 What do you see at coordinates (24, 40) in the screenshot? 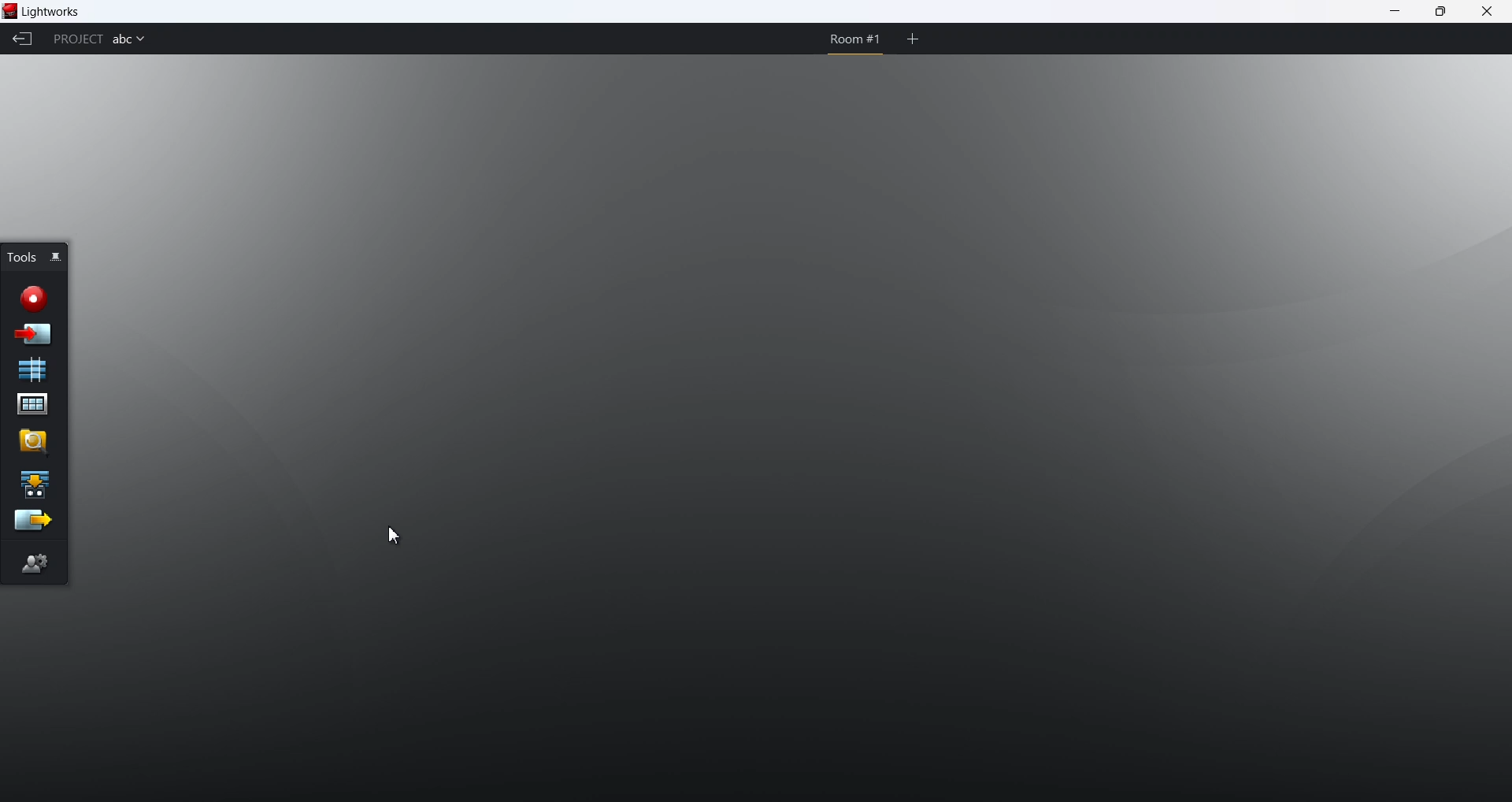
I see `back` at bounding box center [24, 40].